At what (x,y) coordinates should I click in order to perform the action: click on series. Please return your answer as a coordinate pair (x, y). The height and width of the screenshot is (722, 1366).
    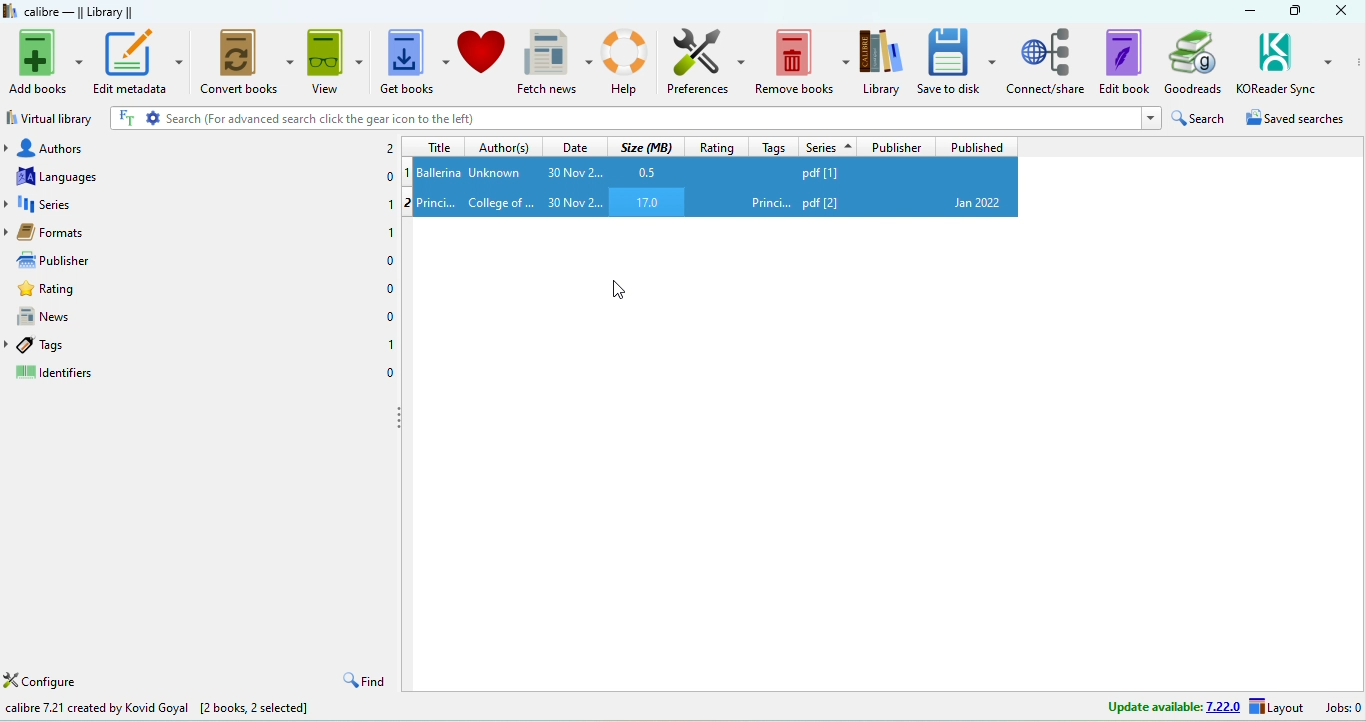
    Looking at the image, I should click on (829, 147).